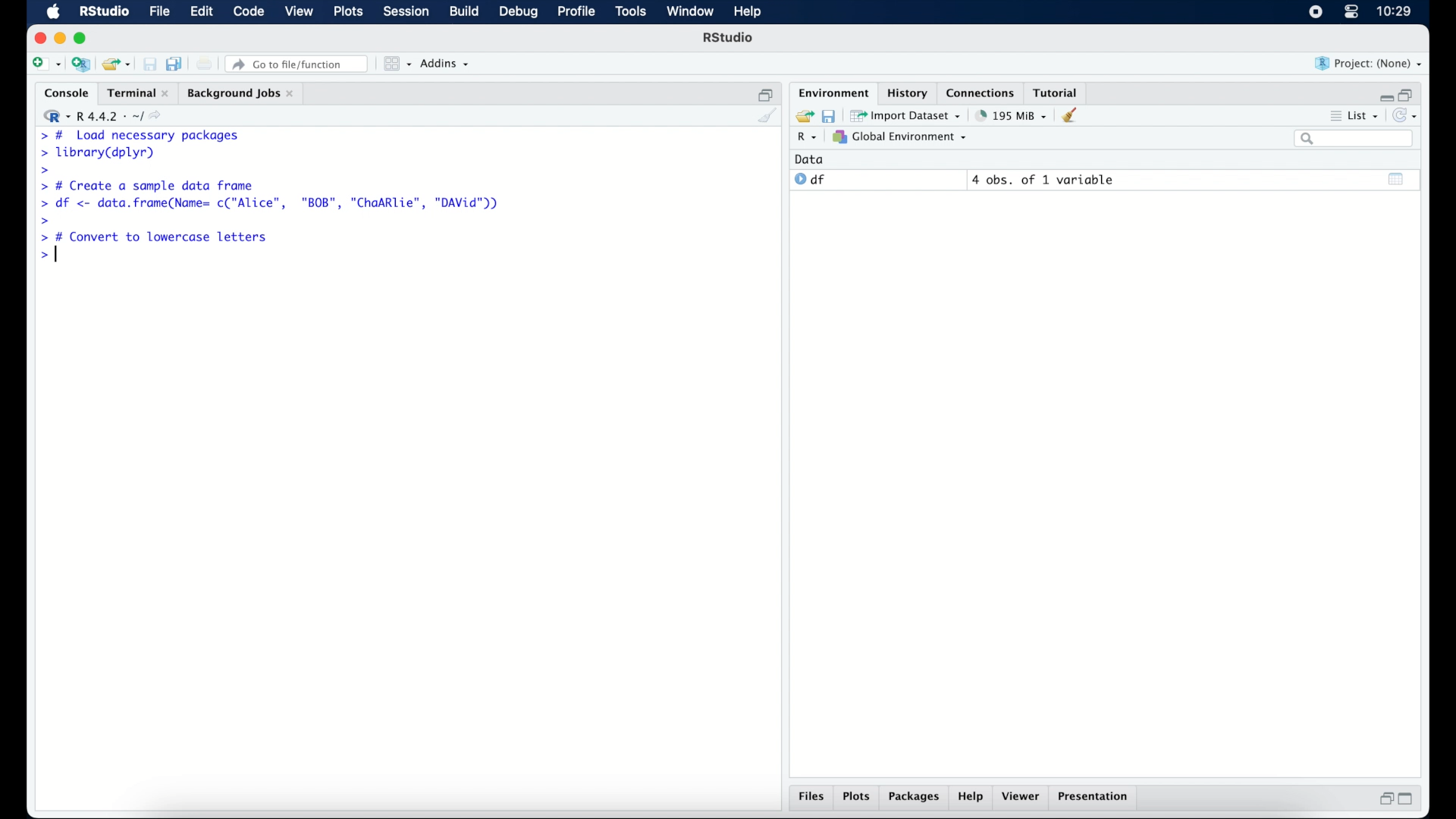 The image size is (1456, 819). What do you see at coordinates (83, 38) in the screenshot?
I see `maximize` at bounding box center [83, 38].